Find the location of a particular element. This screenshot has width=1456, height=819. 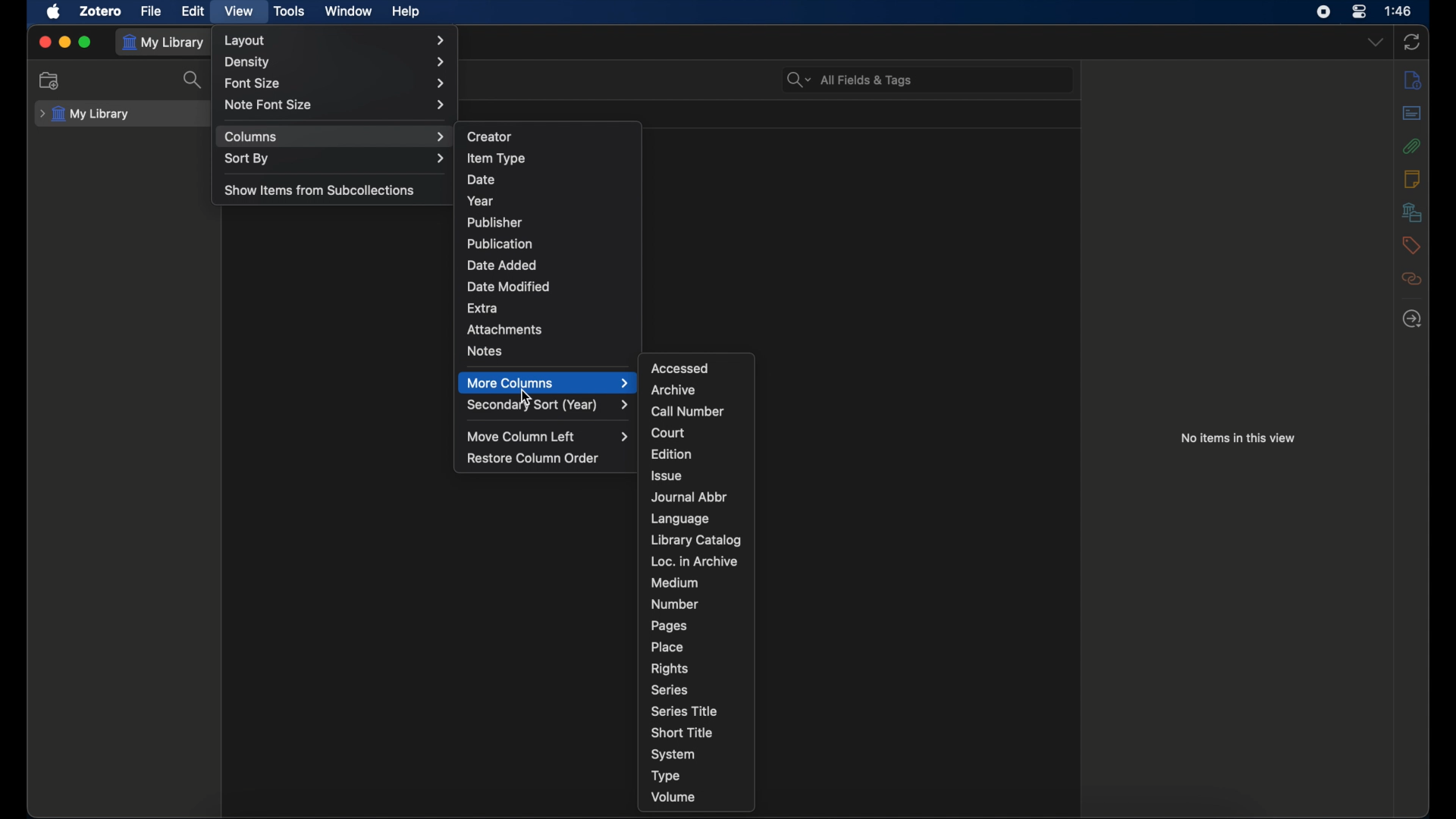

my library is located at coordinates (85, 115).